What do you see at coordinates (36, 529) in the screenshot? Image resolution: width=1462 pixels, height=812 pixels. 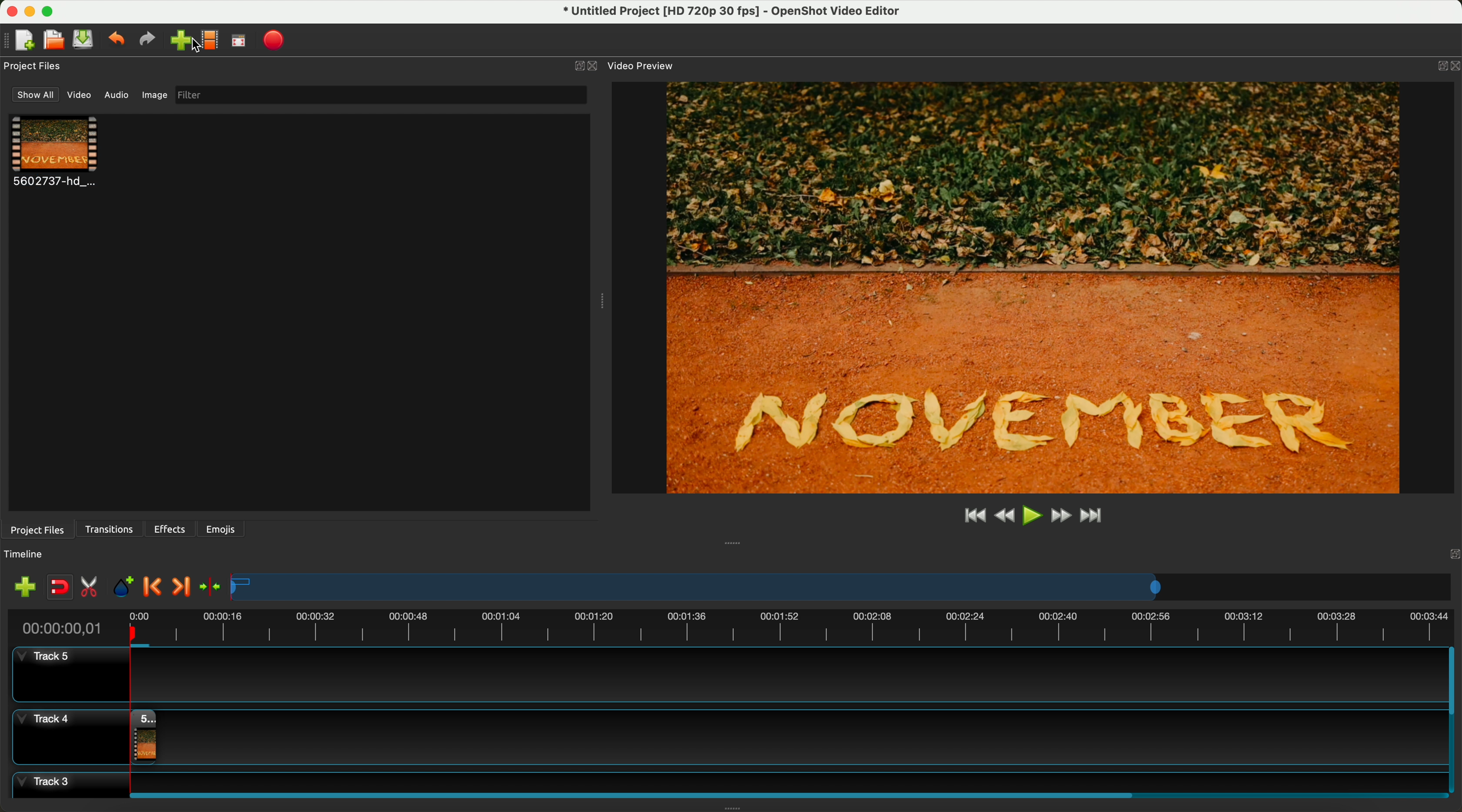 I see `project files` at bounding box center [36, 529].